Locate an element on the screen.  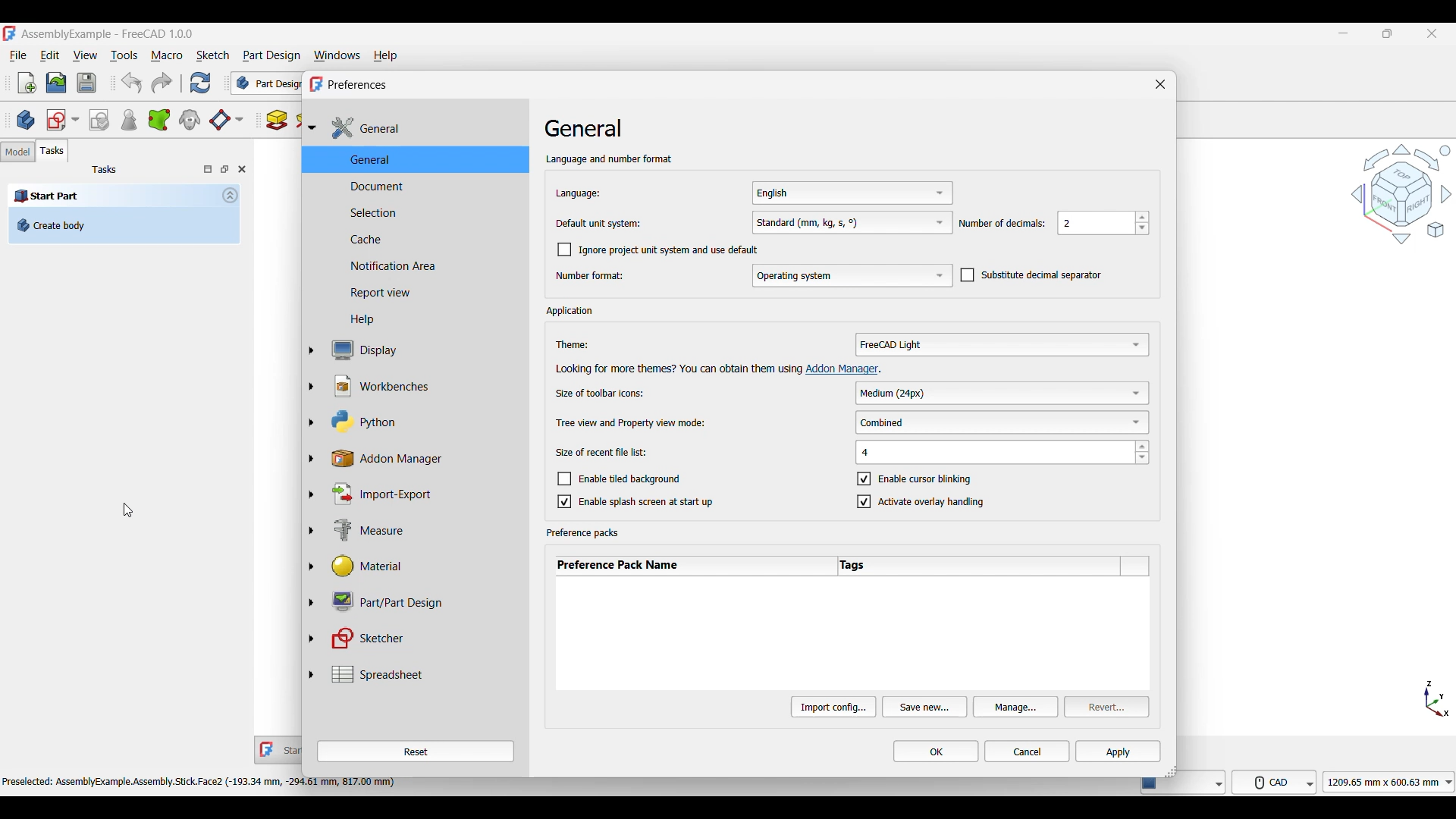
Create body is located at coordinates (26, 120).